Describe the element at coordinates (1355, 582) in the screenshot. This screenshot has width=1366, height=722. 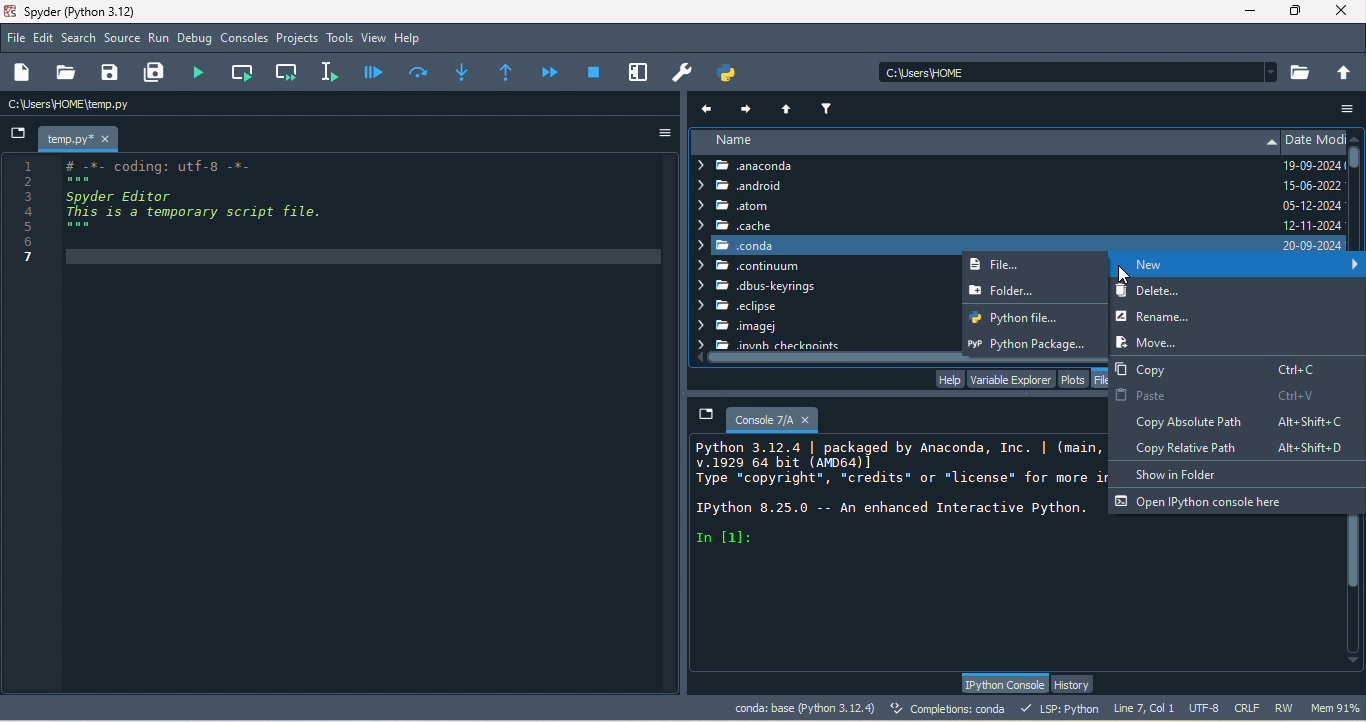
I see `vertical scroll bar` at that location.